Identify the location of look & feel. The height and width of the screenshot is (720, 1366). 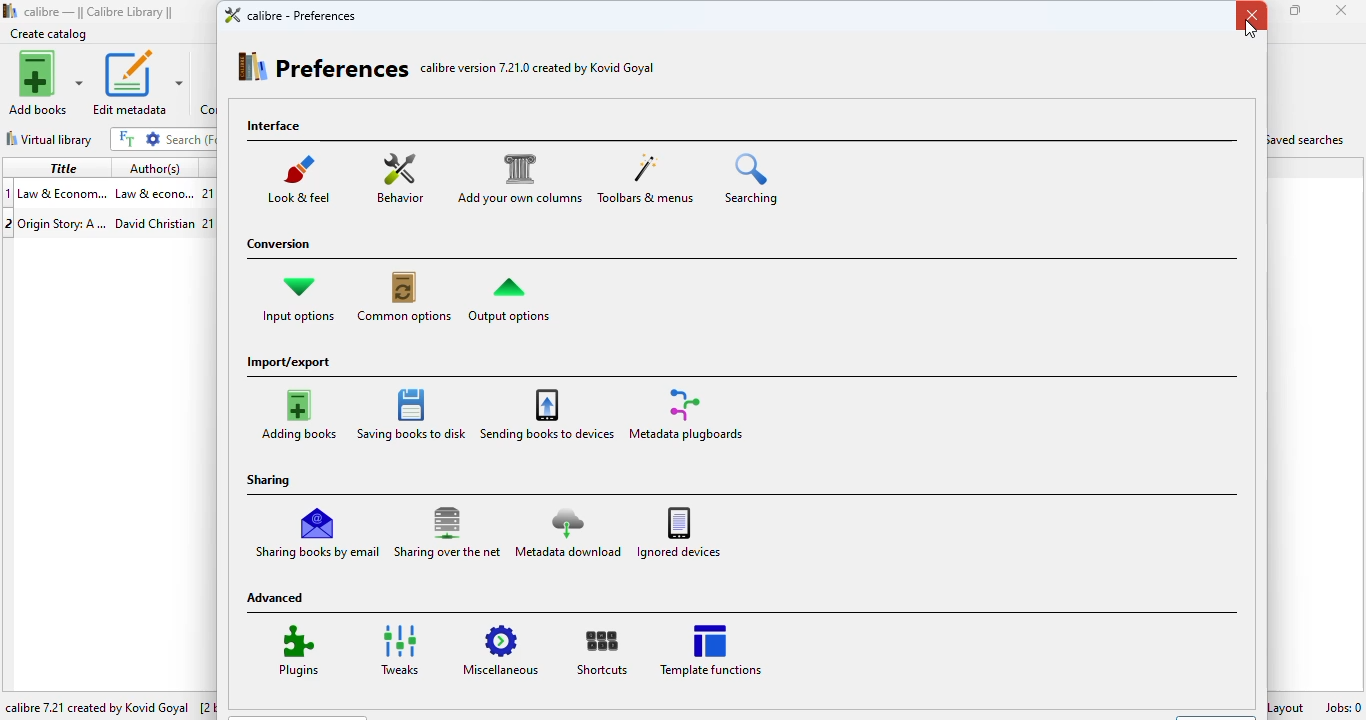
(301, 176).